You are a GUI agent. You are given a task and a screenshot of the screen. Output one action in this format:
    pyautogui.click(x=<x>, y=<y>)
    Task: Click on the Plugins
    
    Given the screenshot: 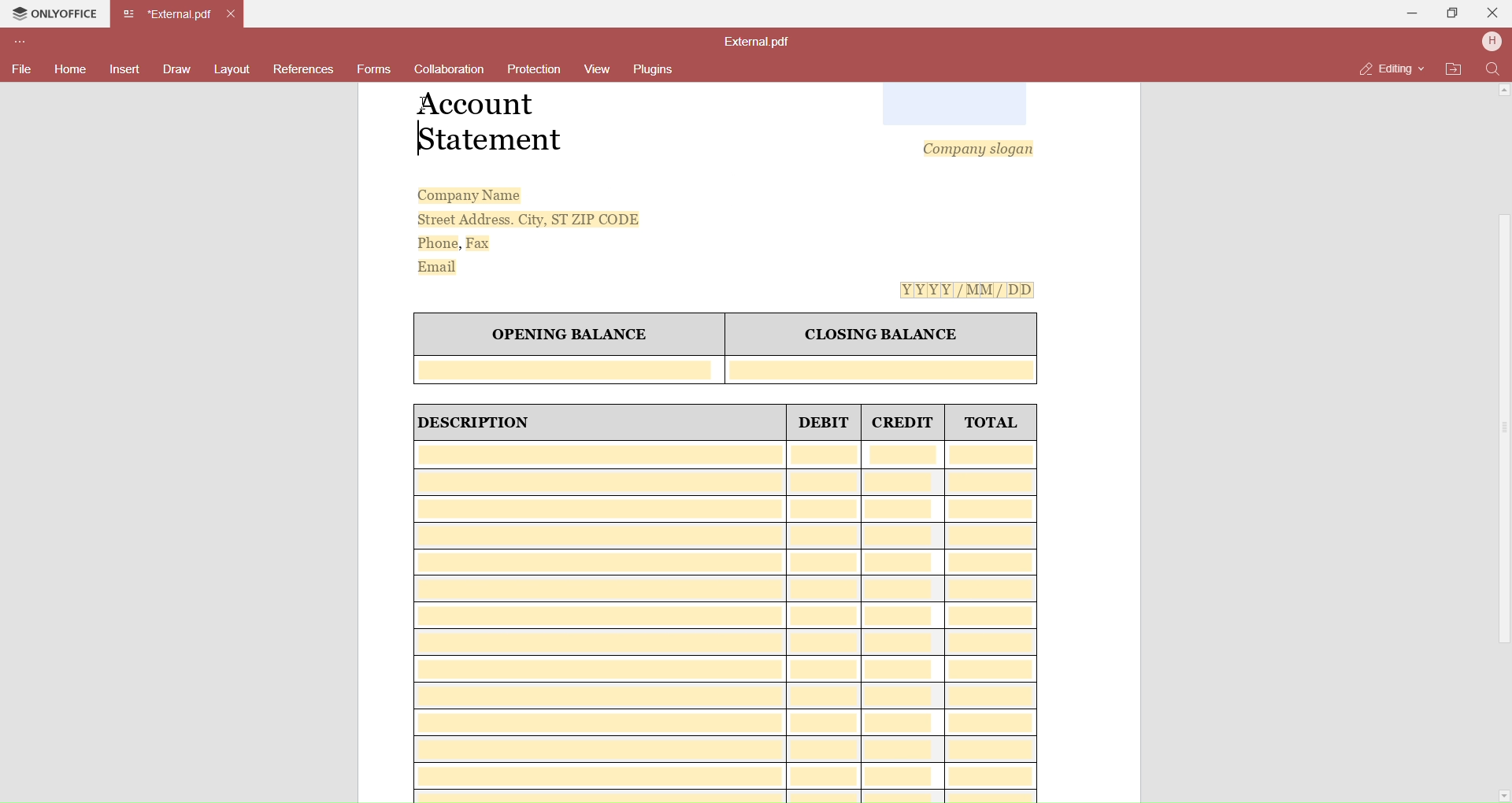 What is the action you would take?
    pyautogui.click(x=658, y=68)
    